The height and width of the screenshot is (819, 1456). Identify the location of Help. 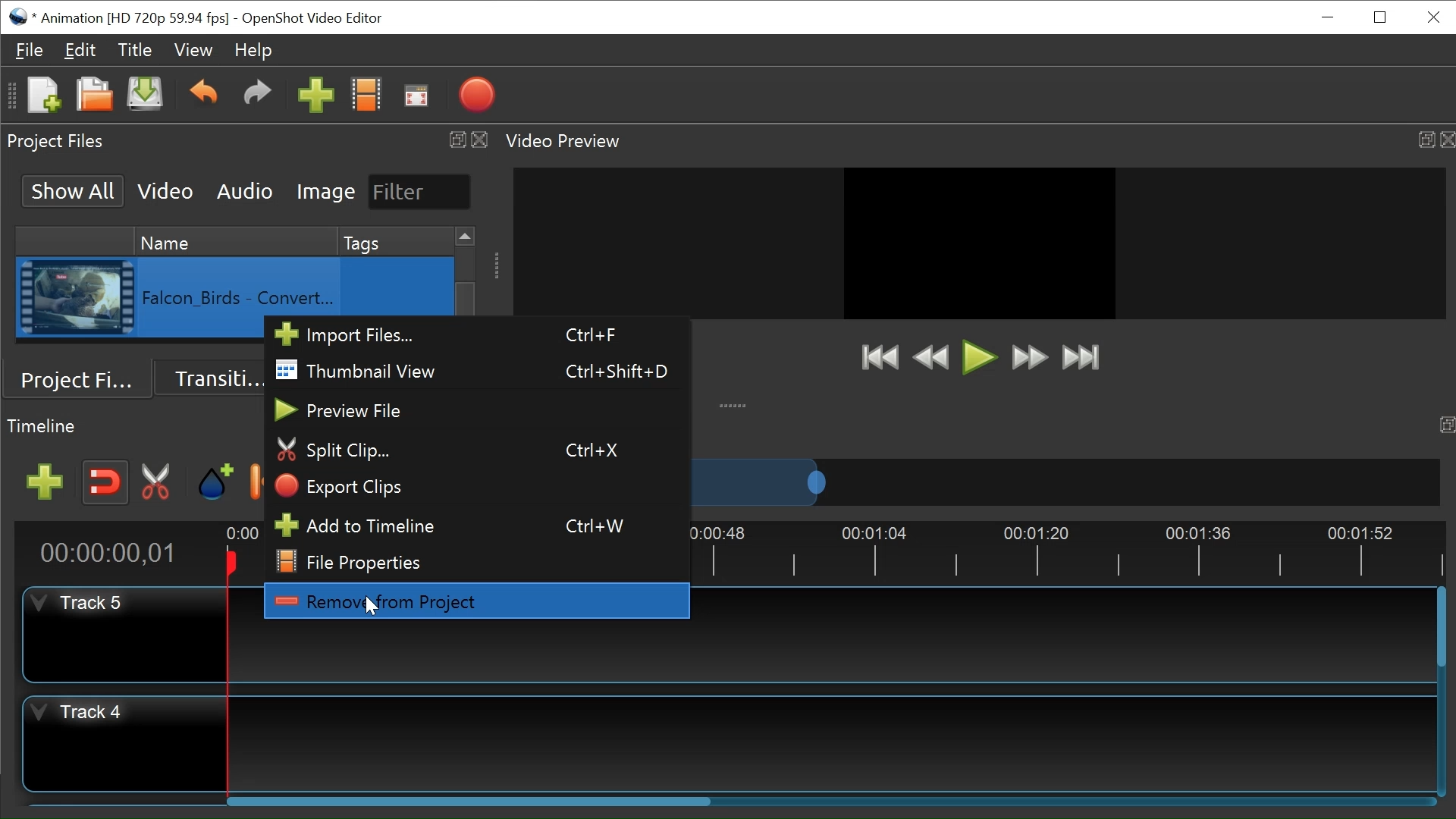
(252, 50).